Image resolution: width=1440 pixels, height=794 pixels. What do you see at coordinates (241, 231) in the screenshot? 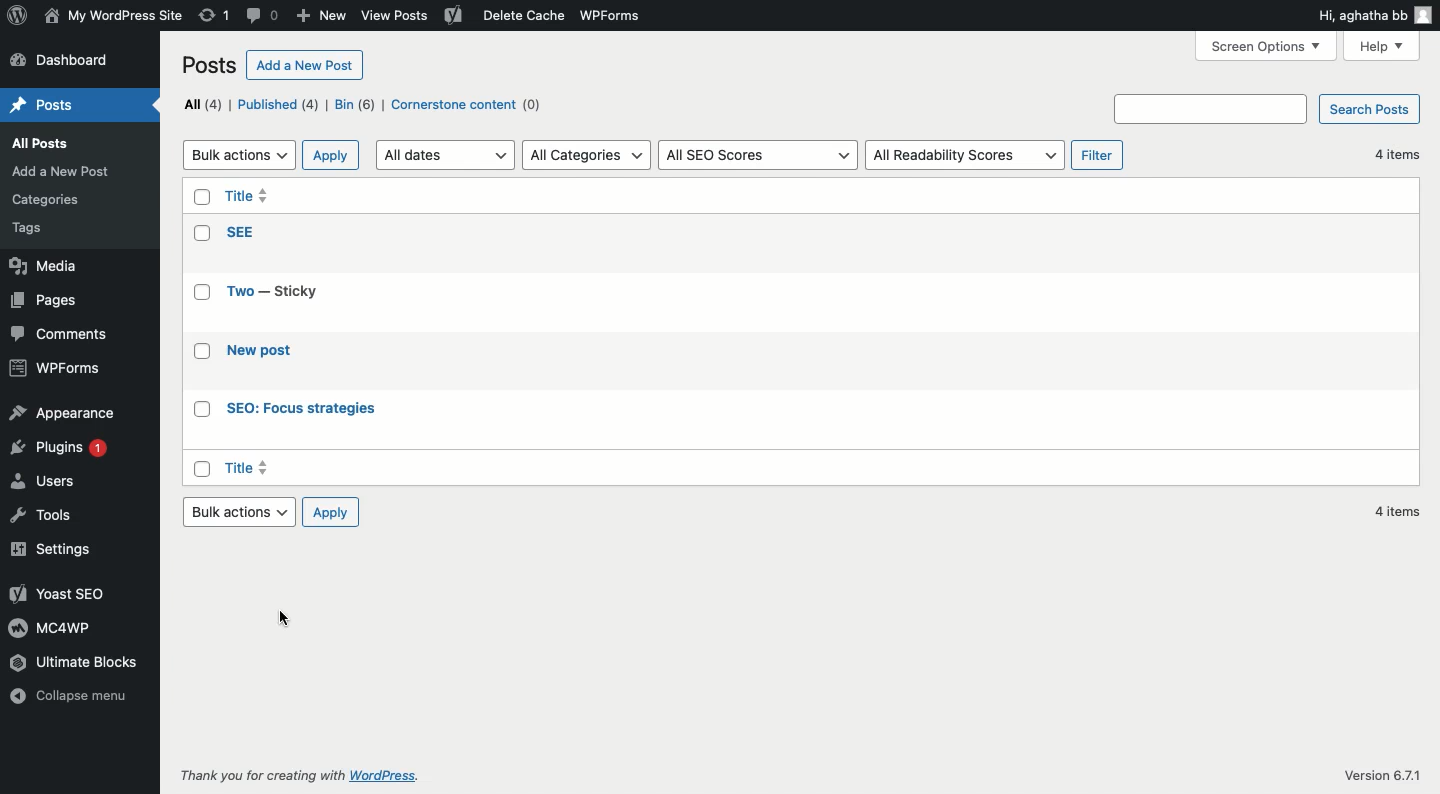
I see `SEE` at bounding box center [241, 231].